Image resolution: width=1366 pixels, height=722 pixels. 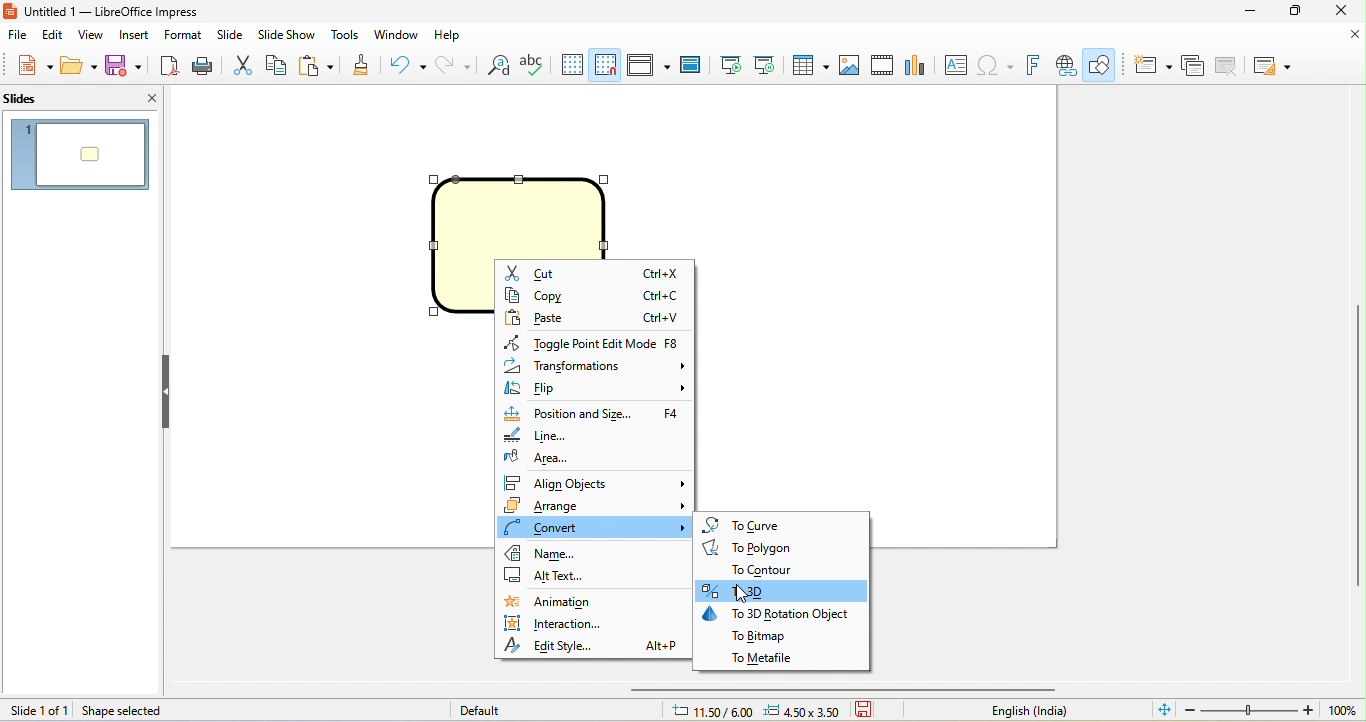 I want to click on maximize, so click(x=1296, y=11).